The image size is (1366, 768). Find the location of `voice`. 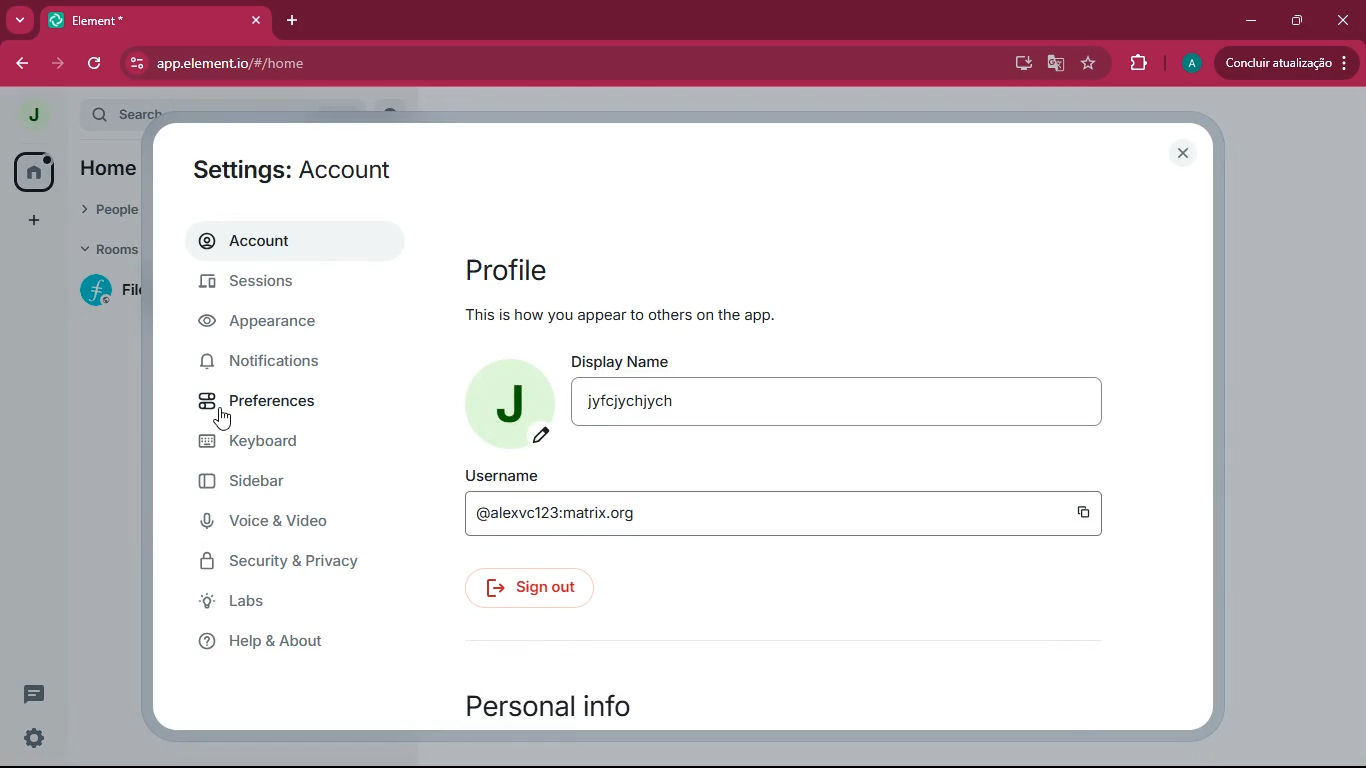

voice is located at coordinates (293, 526).